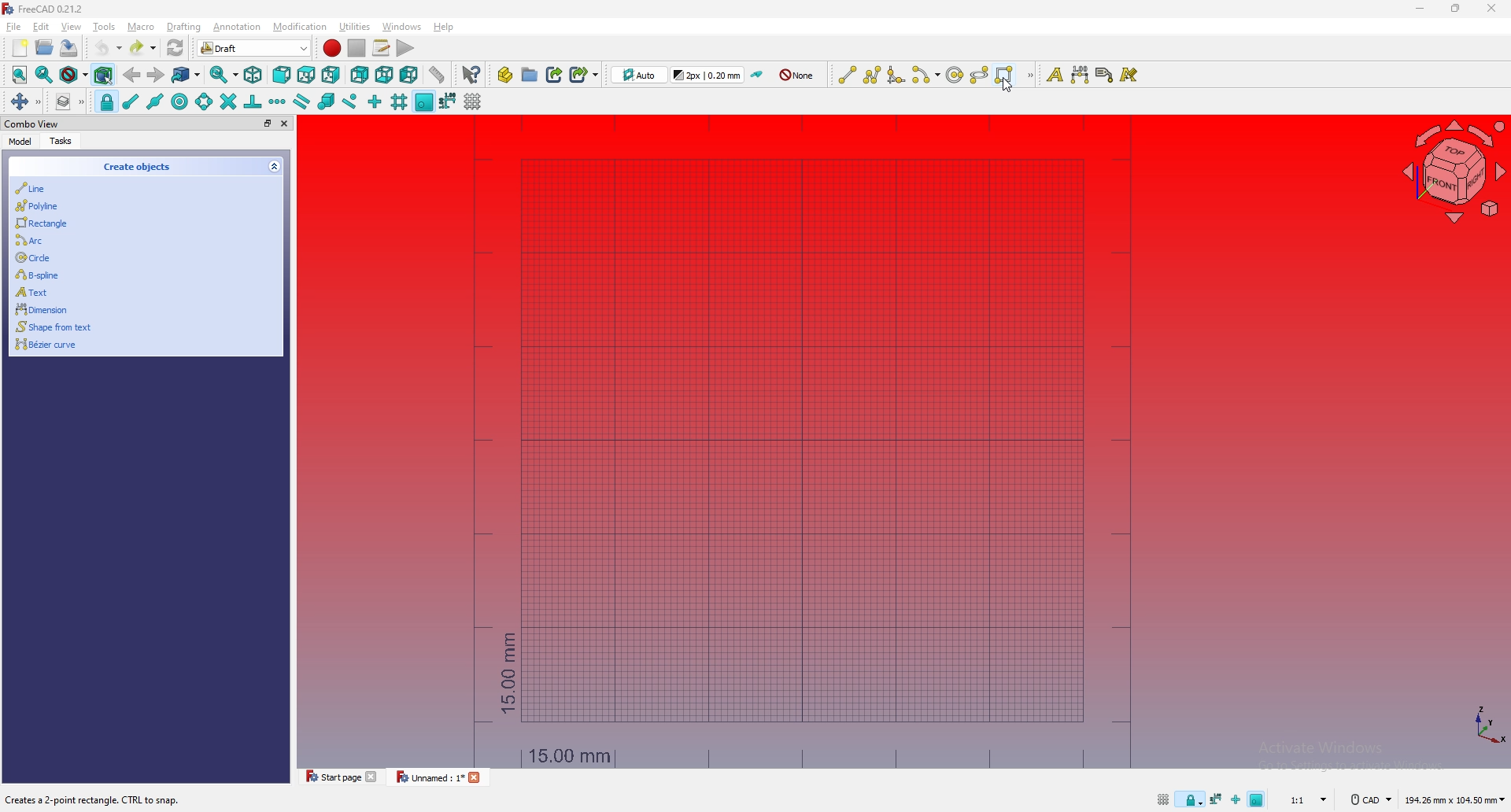  I want to click on annotation, so click(238, 27).